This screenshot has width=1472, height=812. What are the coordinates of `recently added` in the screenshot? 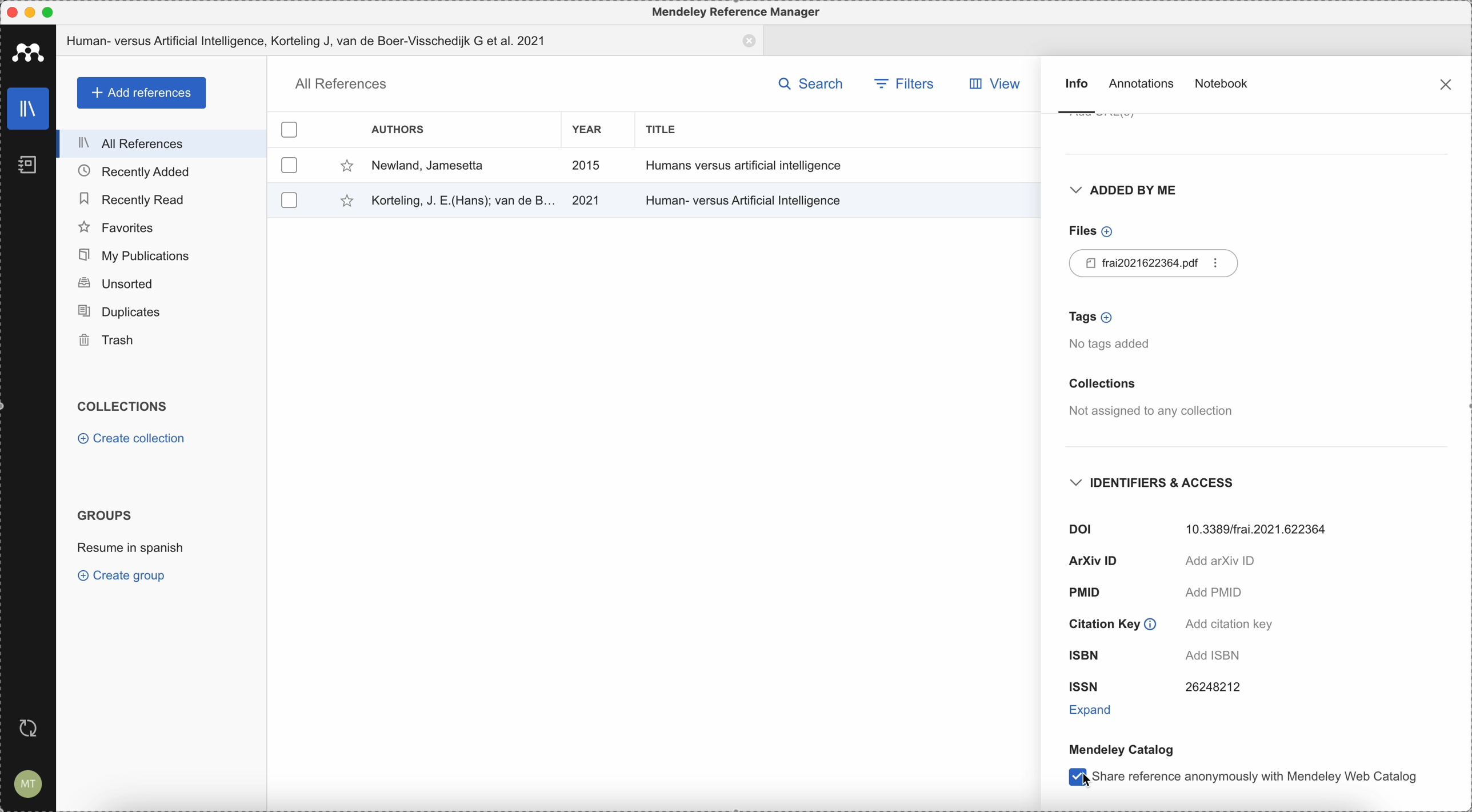 It's located at (161, 171).